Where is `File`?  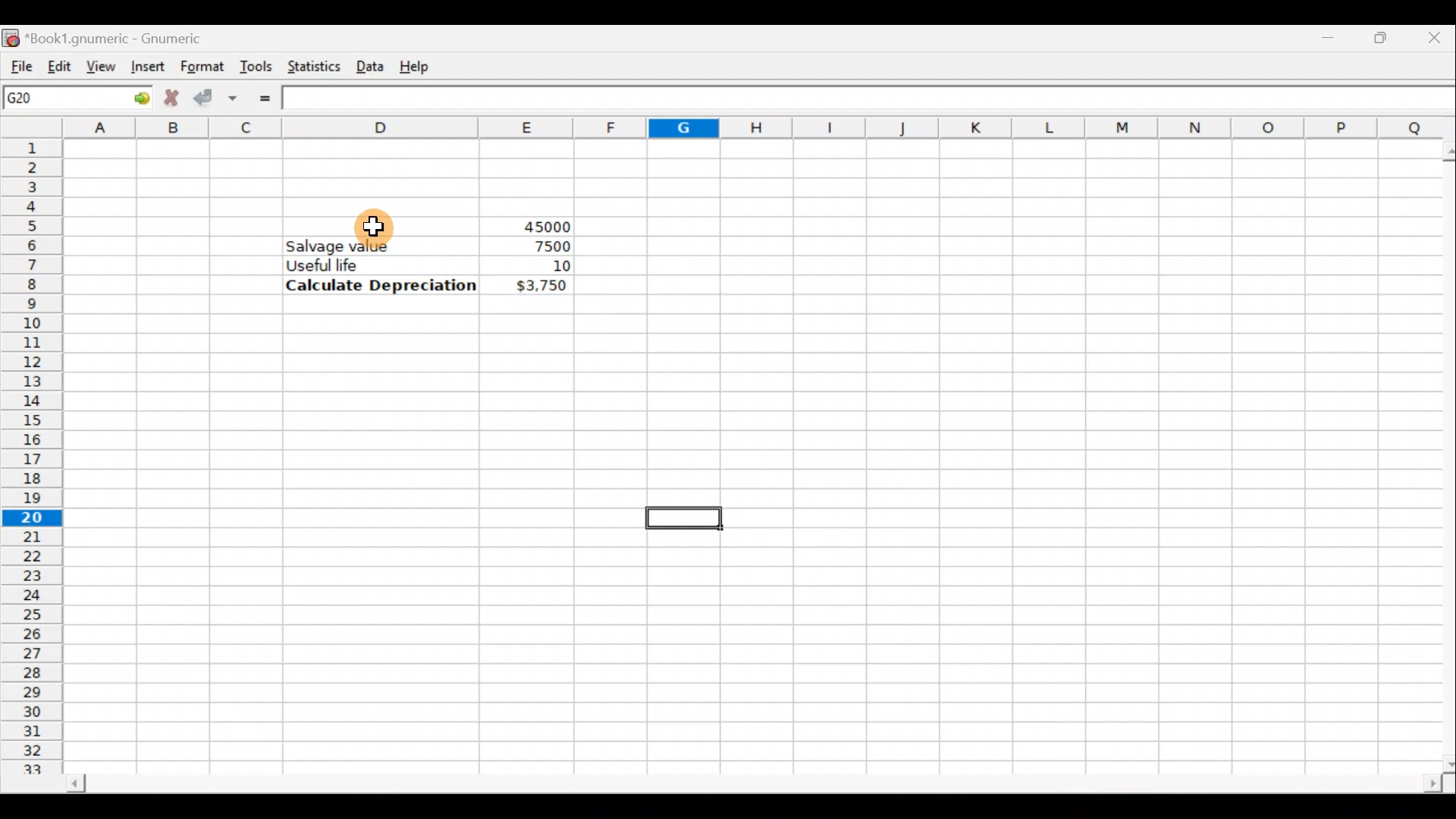
File is located at coordinates (17, 63).